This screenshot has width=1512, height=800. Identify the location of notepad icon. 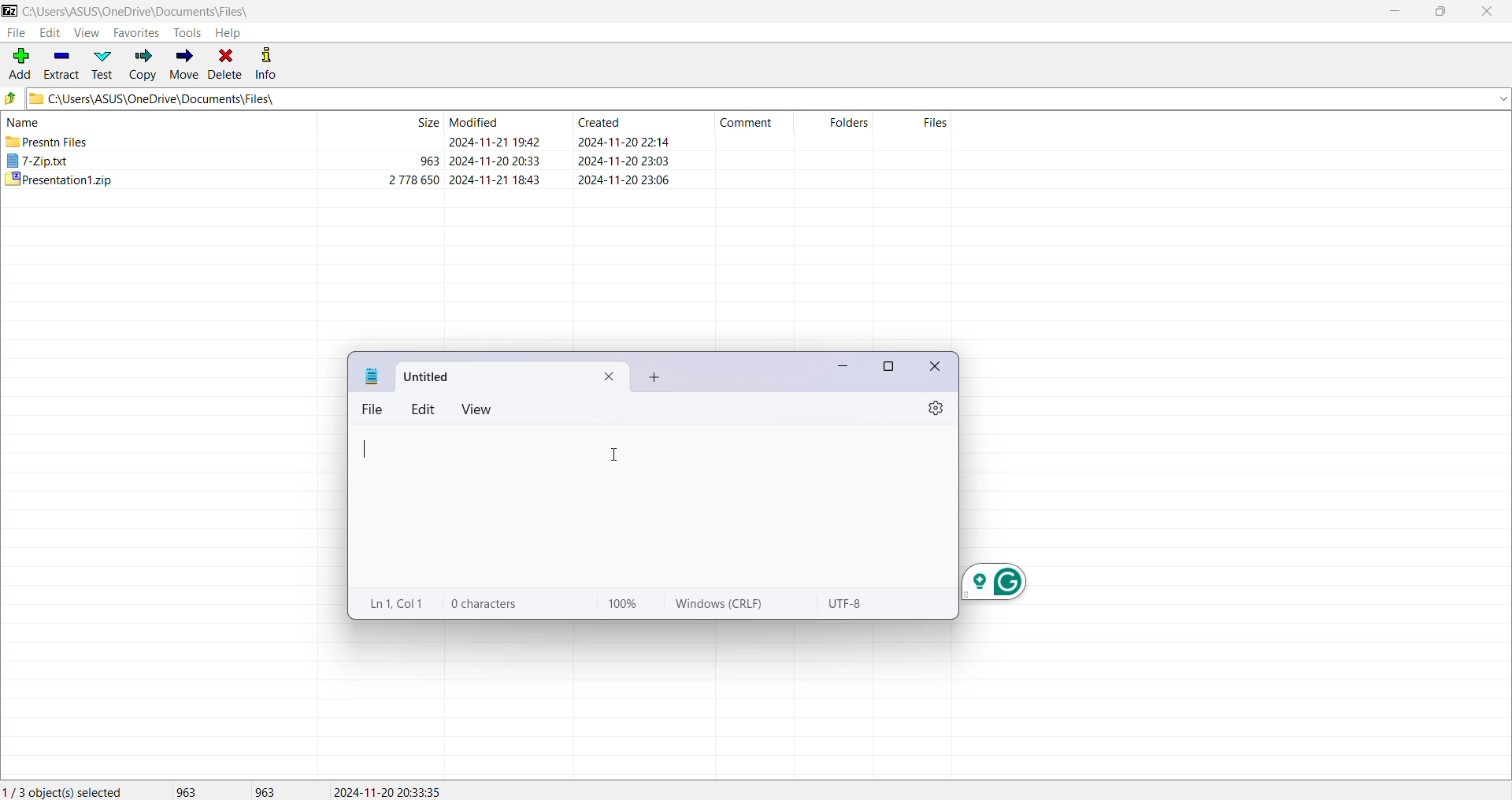
(372, 376).